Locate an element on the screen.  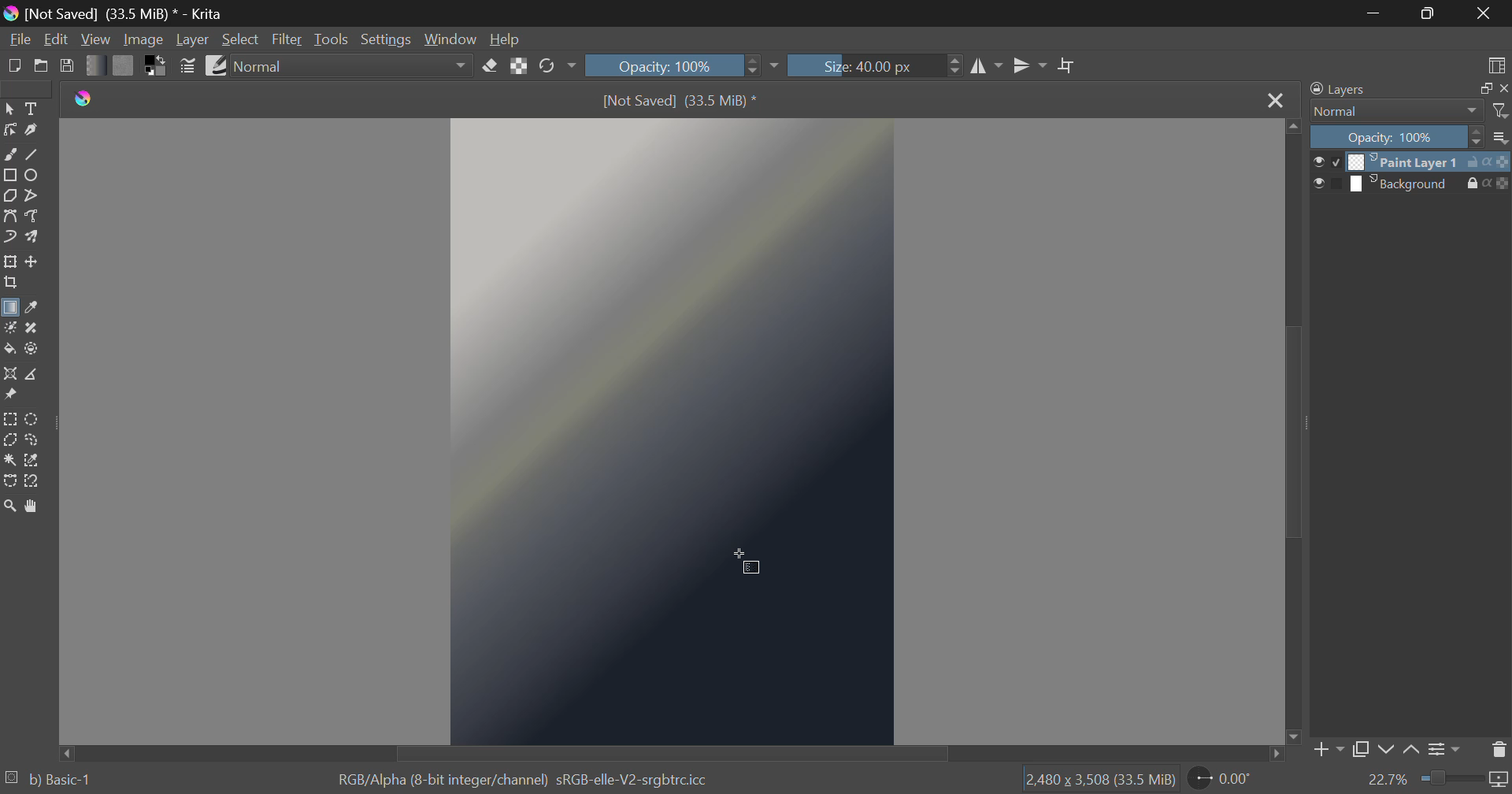
Pattern is located at coordinates (124, 65).